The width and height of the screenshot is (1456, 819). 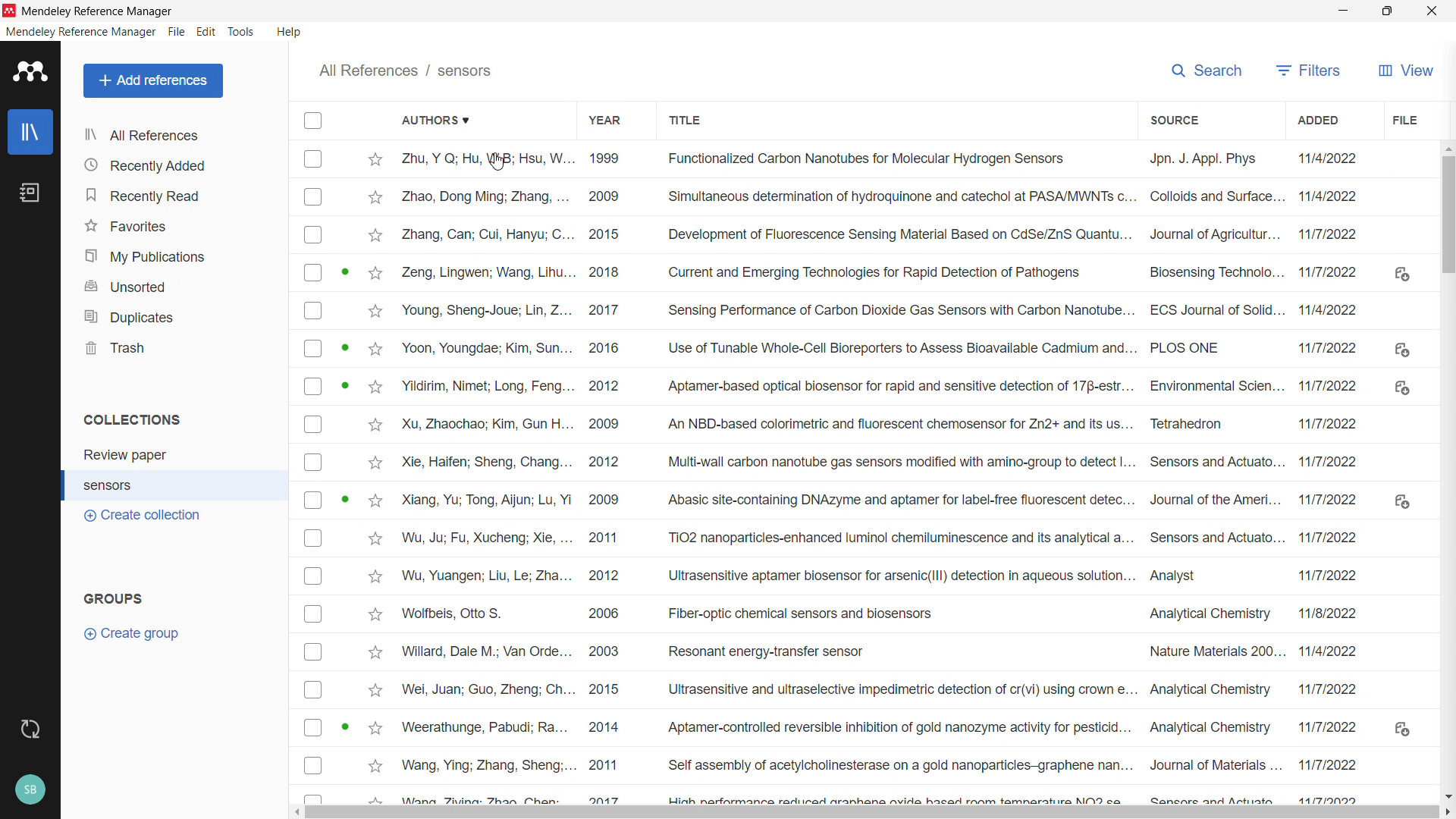 I want to click on Pdf available to download , so click(x=1401, y=504).